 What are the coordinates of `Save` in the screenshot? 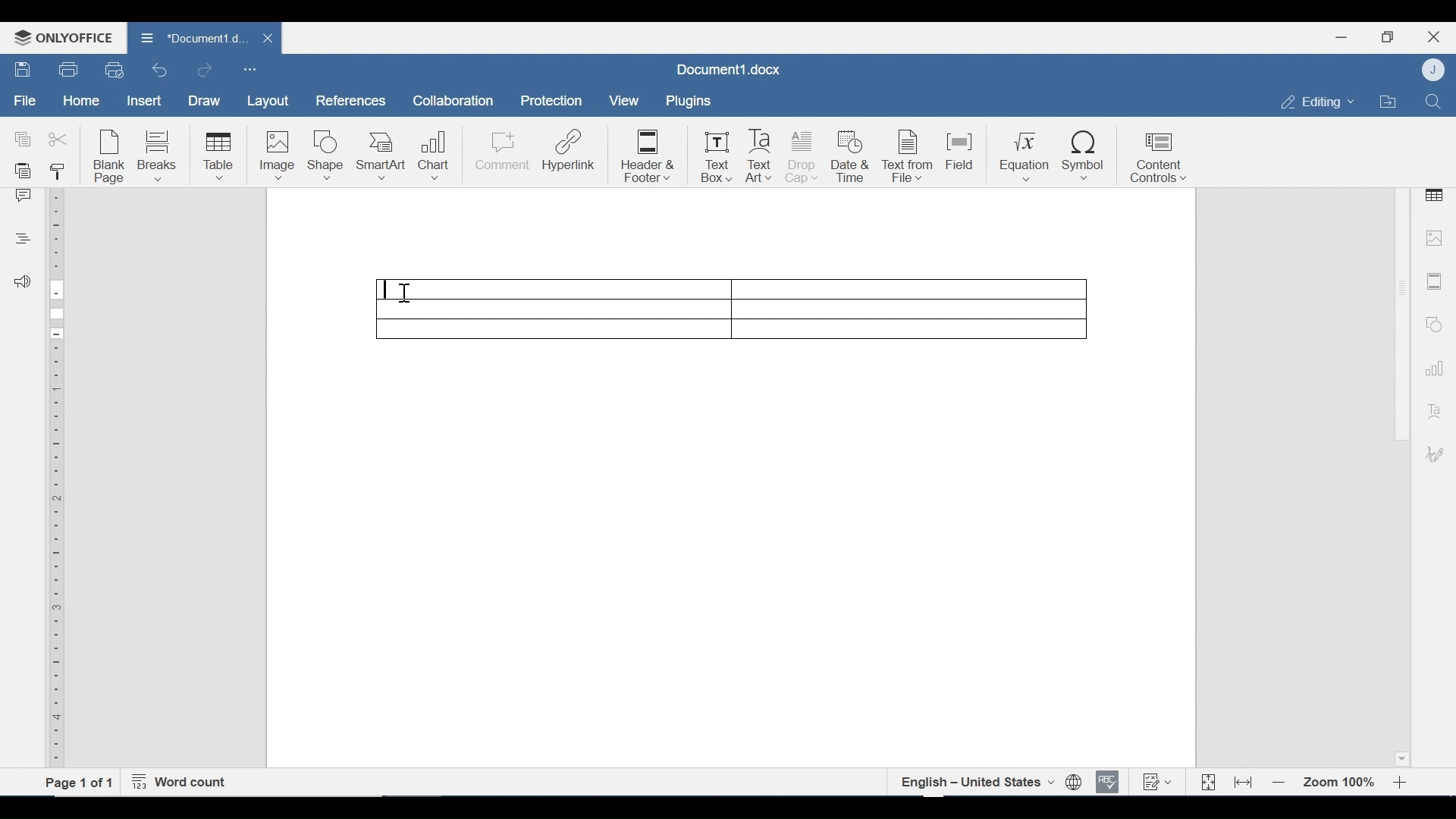 It's located at (24, 70).